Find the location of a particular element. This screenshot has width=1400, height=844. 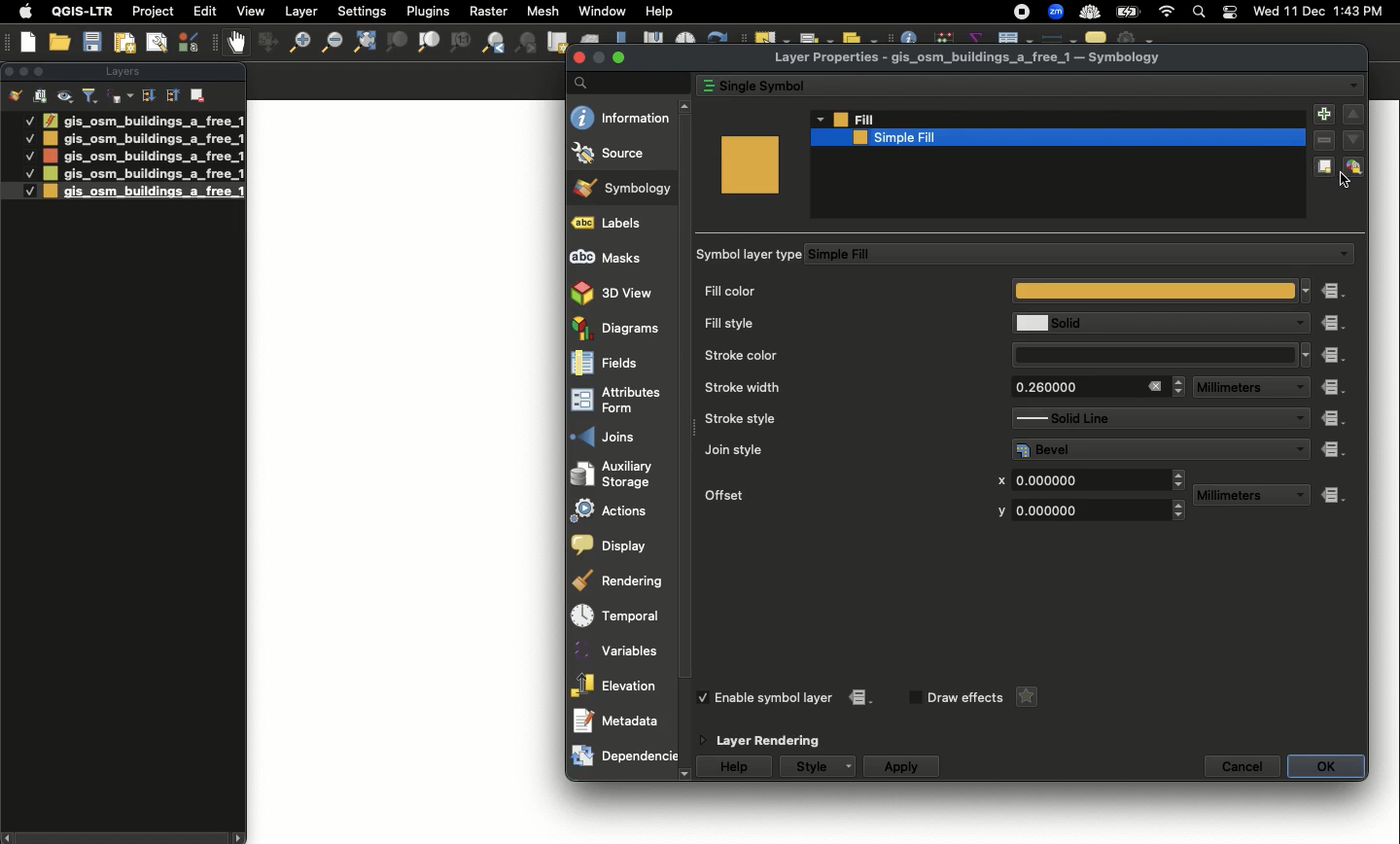

Apple is located at coordinates (22, 12).